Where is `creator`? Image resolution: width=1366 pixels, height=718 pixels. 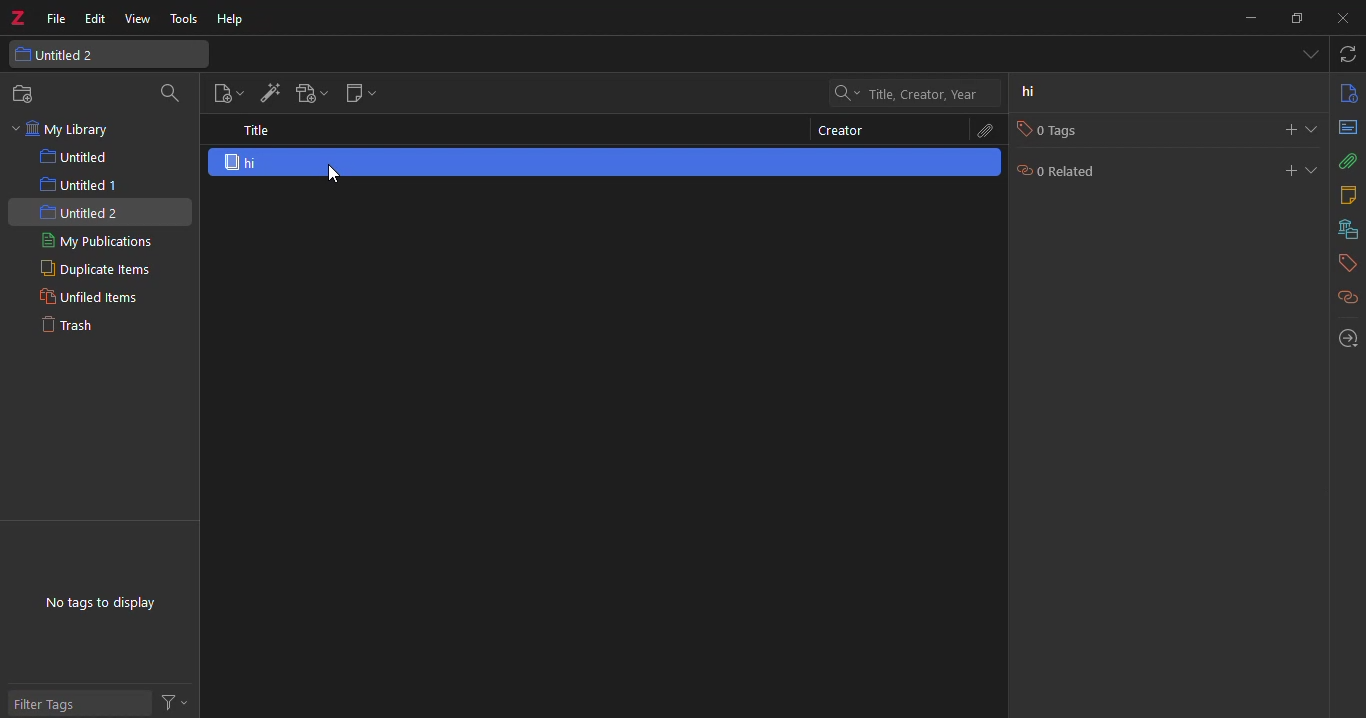
creator is located at coordinates (844, 133).